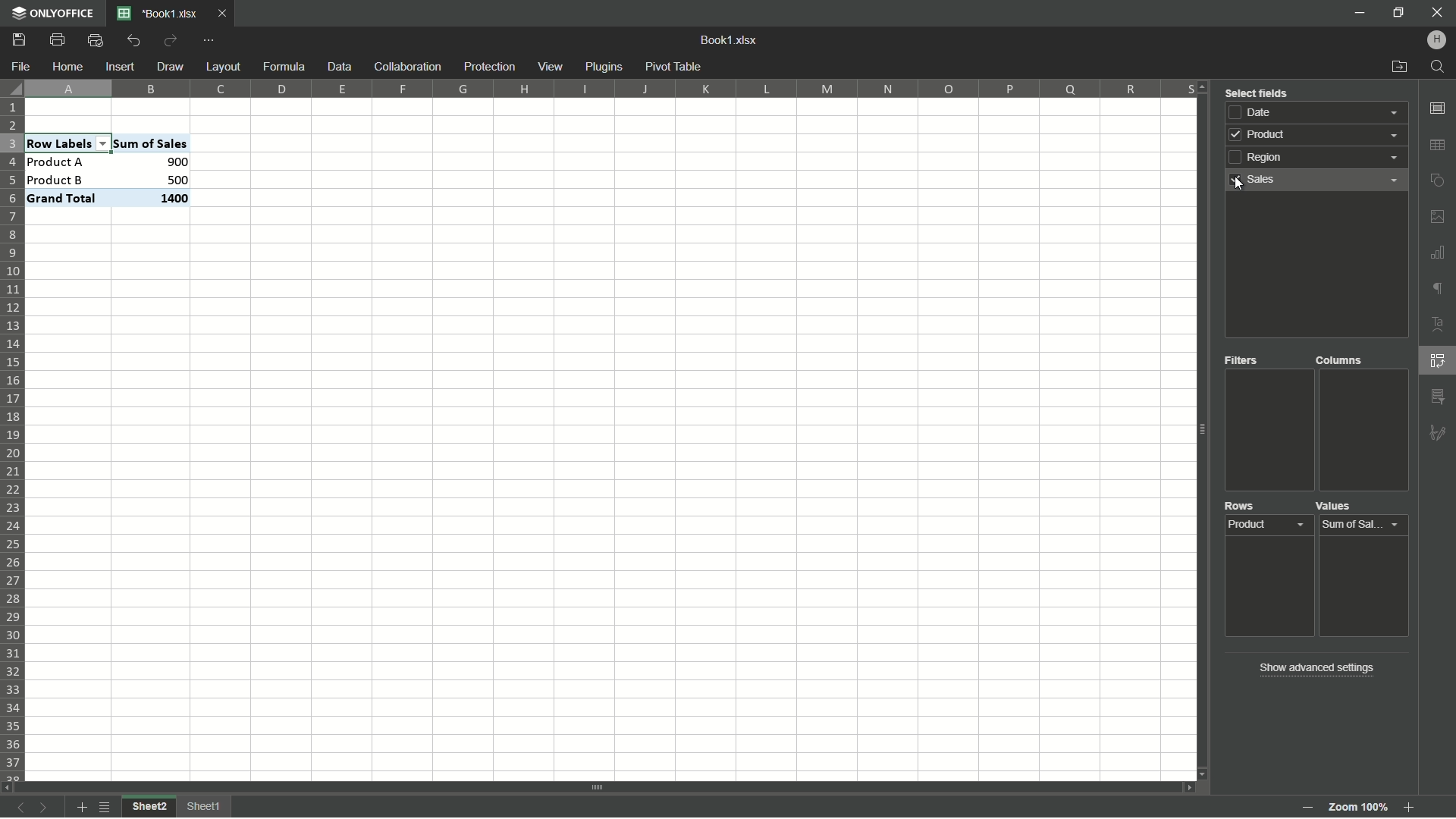 The image size is (1456, 819). Describe the element at coordinates (609, 87) in the screenshot. I see `column number` at that location.